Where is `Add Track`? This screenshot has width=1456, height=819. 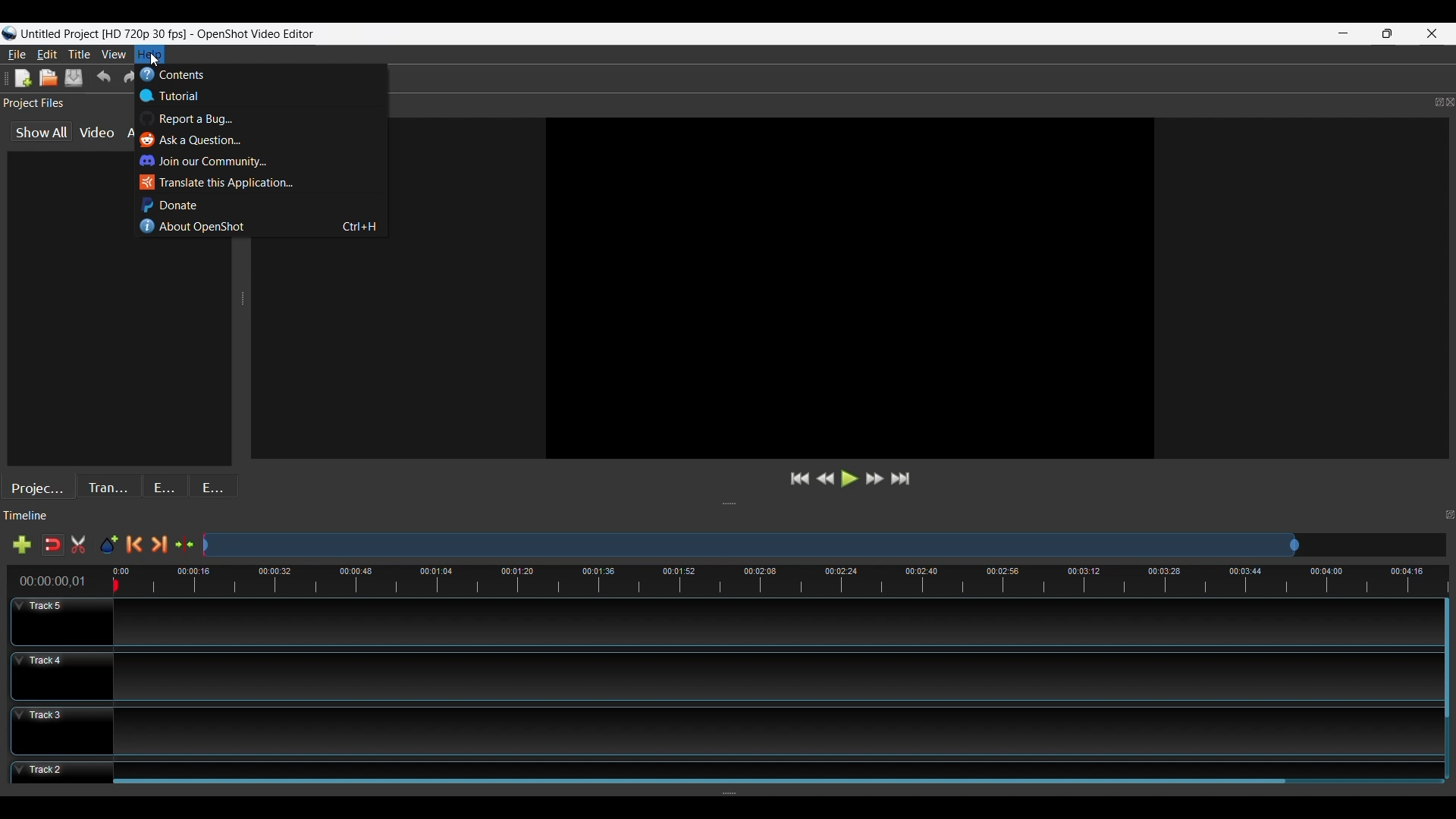
Add Track is located at coordinates (18, 544).